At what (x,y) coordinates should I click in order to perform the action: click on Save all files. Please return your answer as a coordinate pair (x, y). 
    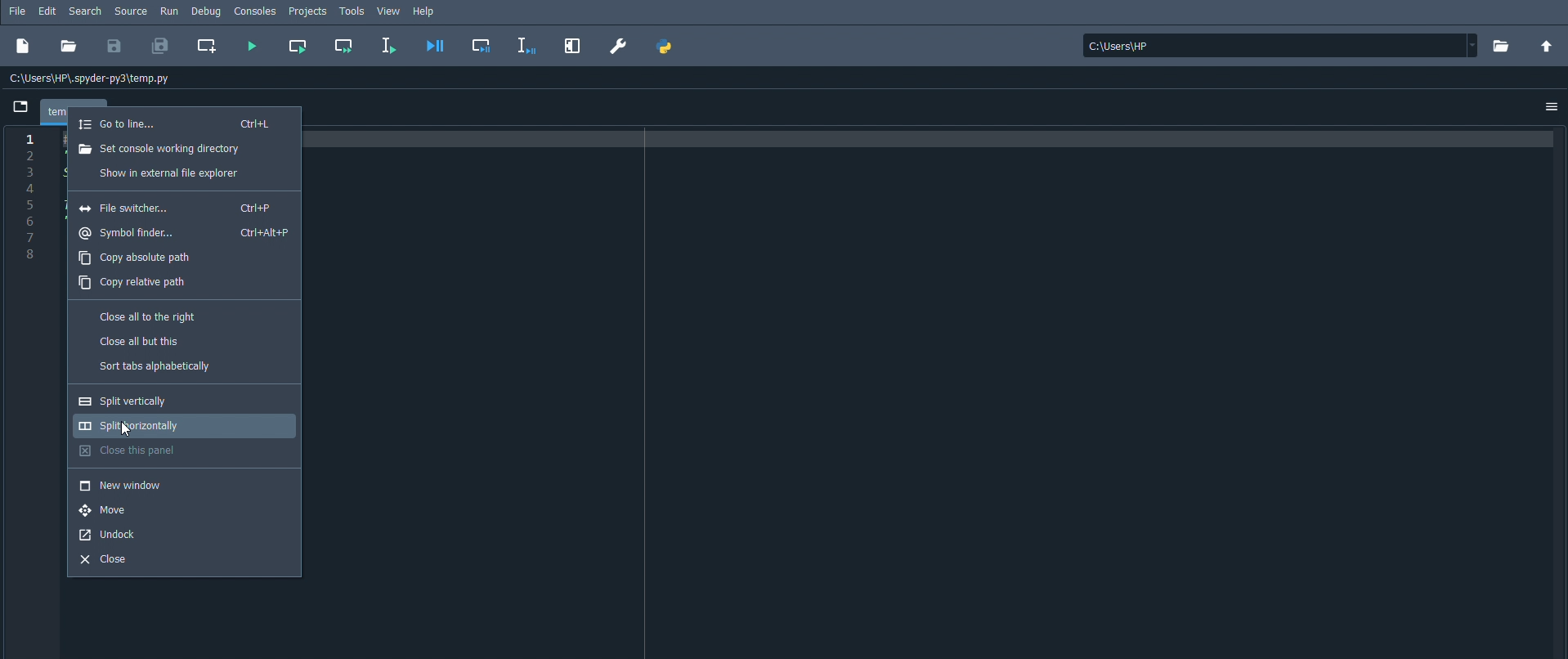
    Looking at the image, I should click on (162, 45).